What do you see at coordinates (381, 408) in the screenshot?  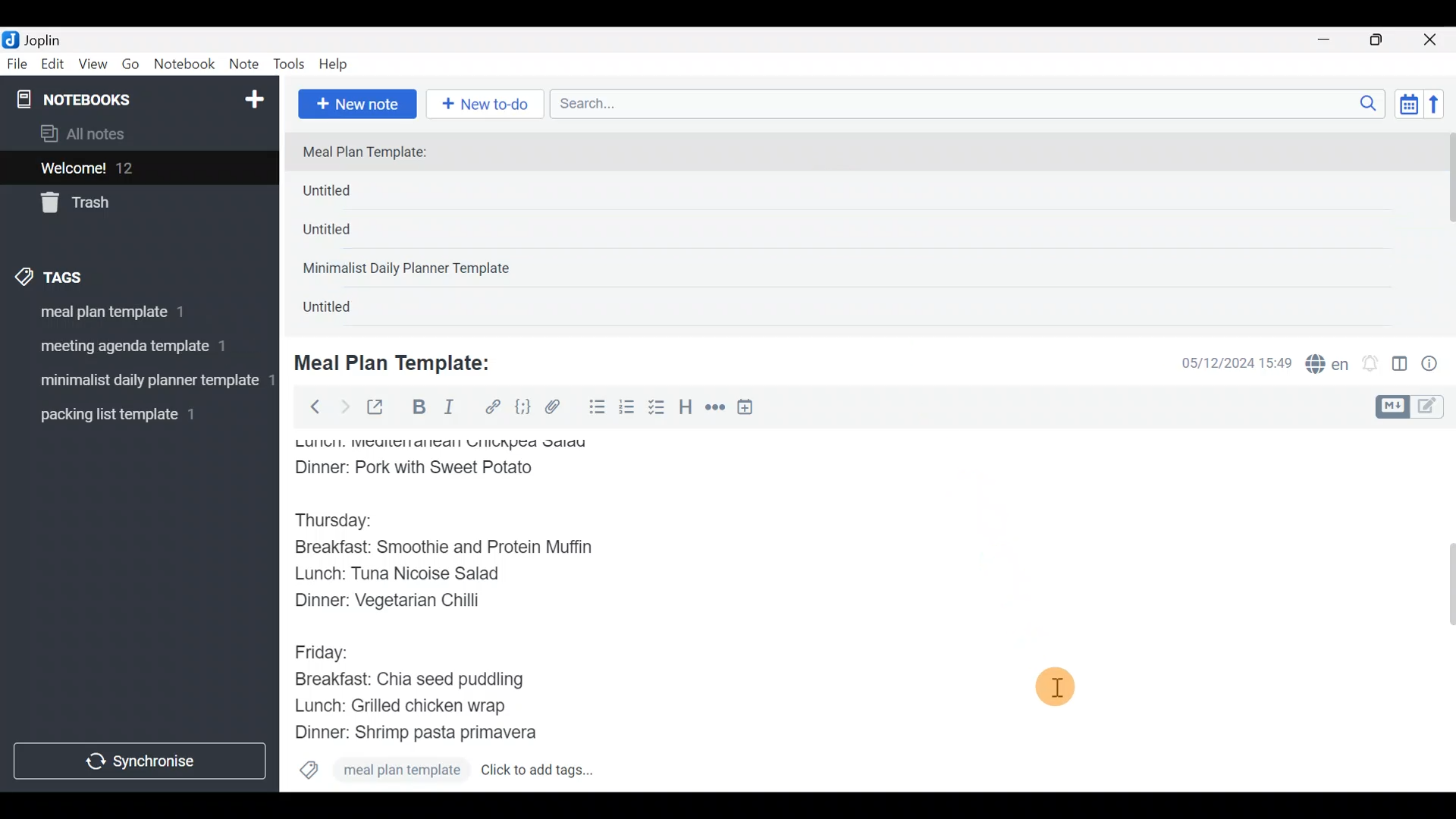 I see `Toggle external editing` at bounding box center [381, 408].